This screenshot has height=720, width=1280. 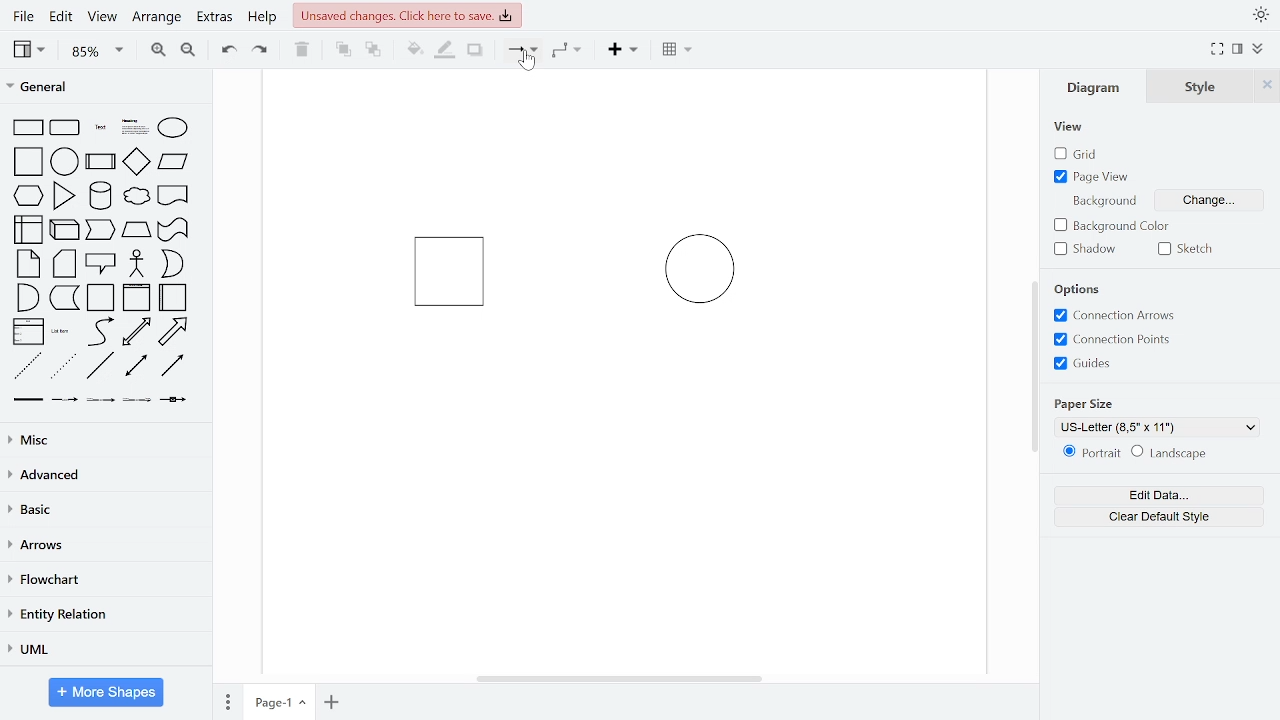 What do you see at coordinates (65, 297) in the screenshot?
I see `data storage` at bounding box center [65, 297].